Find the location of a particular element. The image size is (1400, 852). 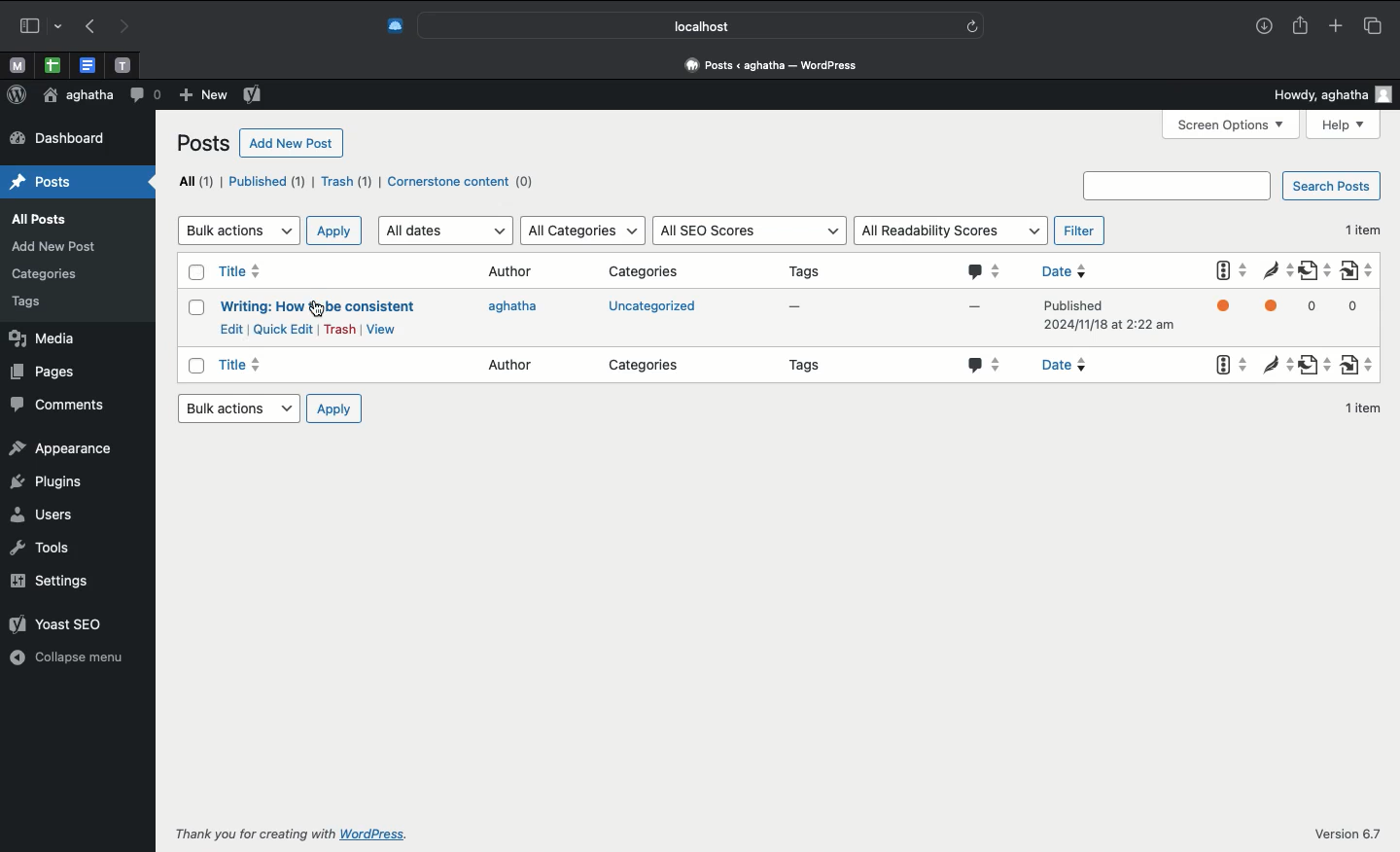

Version 6.7 is located at coordinates (1347, 832).